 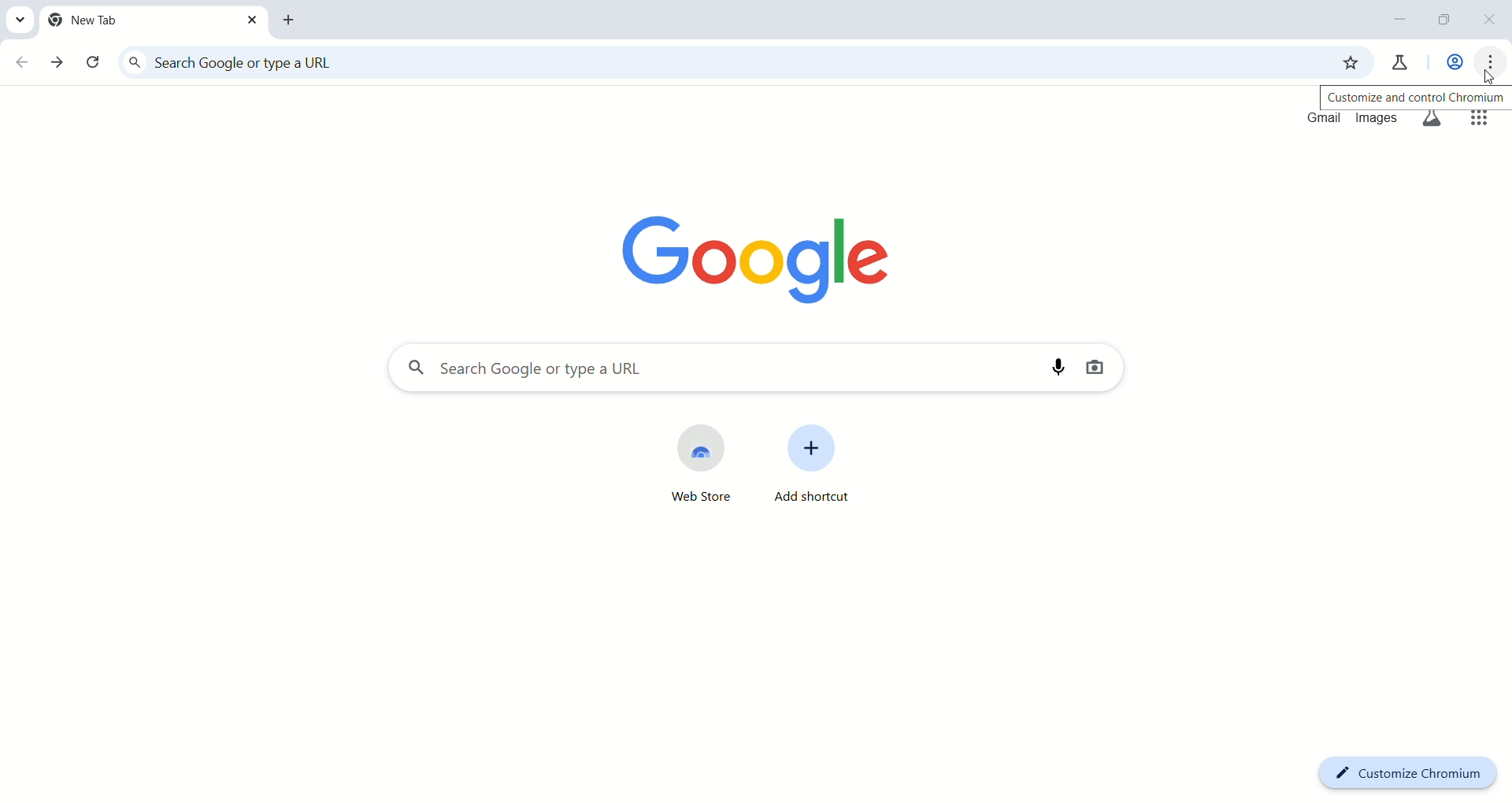 What do you see at coordinates (1095, 367) in the screenshot?
I see `search by image` at bounding box center [1095, 367].